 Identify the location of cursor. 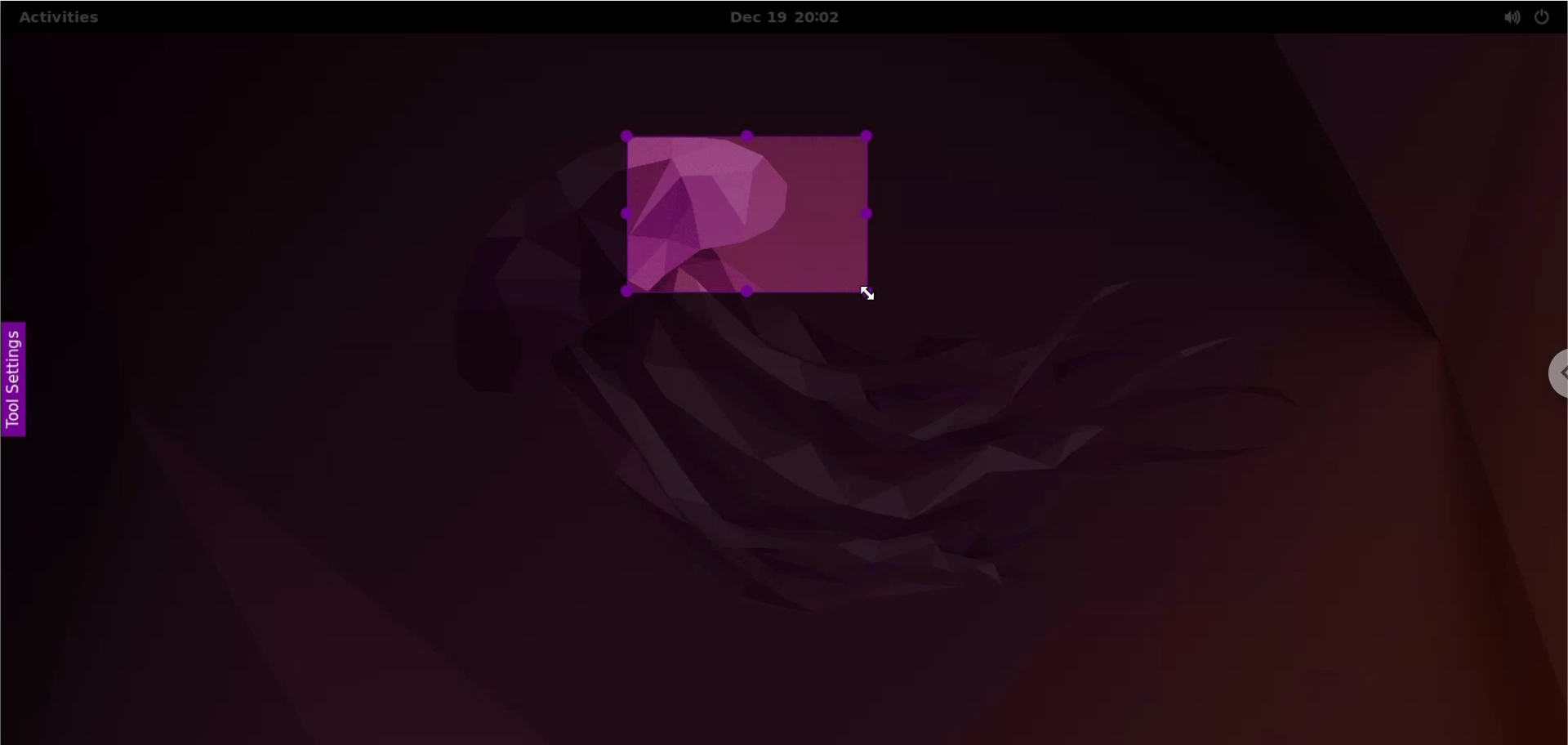
(873, 293).